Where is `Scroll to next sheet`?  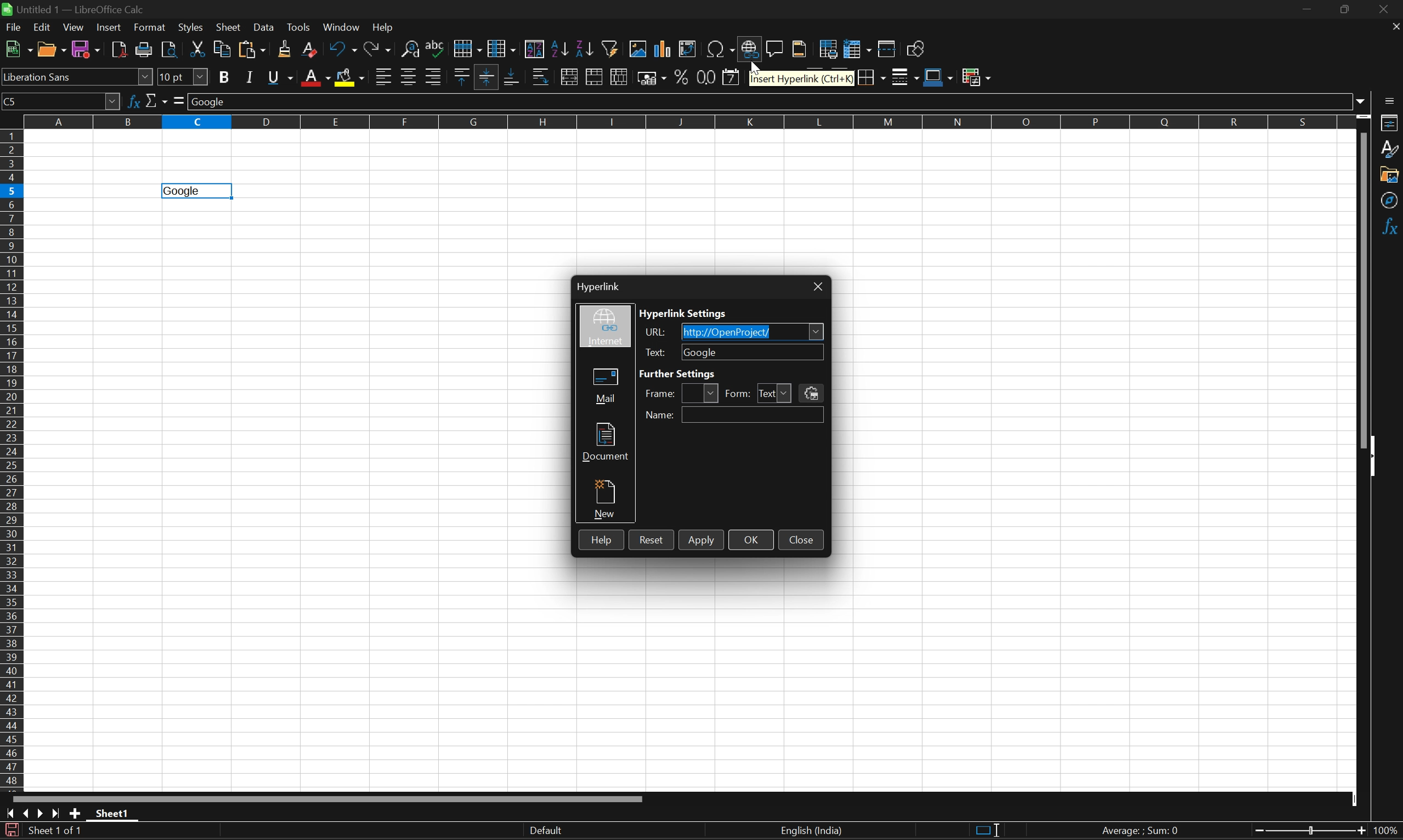
Scroll to next sheet is located at coordinates (39, 814).